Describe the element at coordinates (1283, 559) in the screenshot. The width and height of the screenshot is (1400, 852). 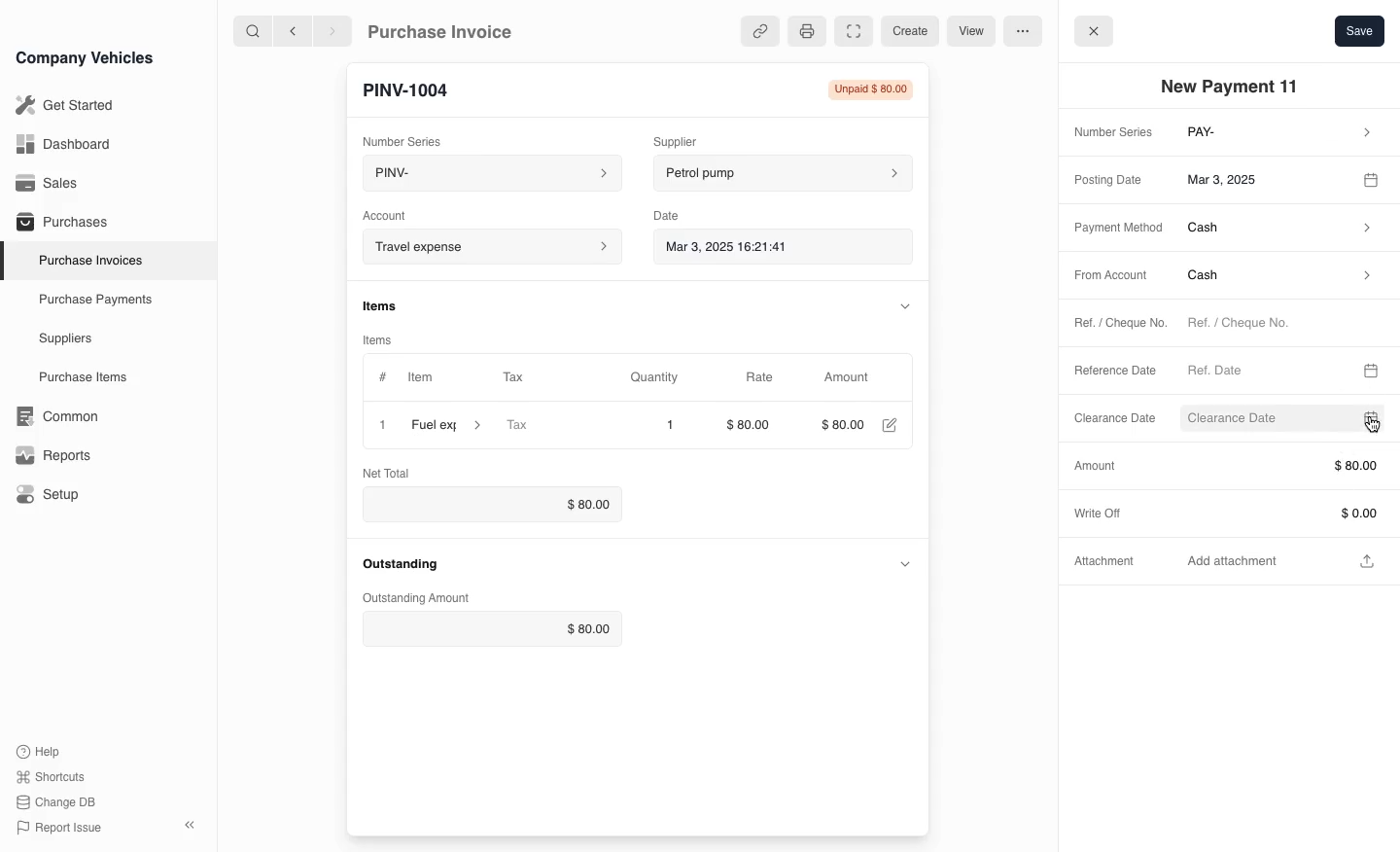
I see ` Add attachment` at that location.